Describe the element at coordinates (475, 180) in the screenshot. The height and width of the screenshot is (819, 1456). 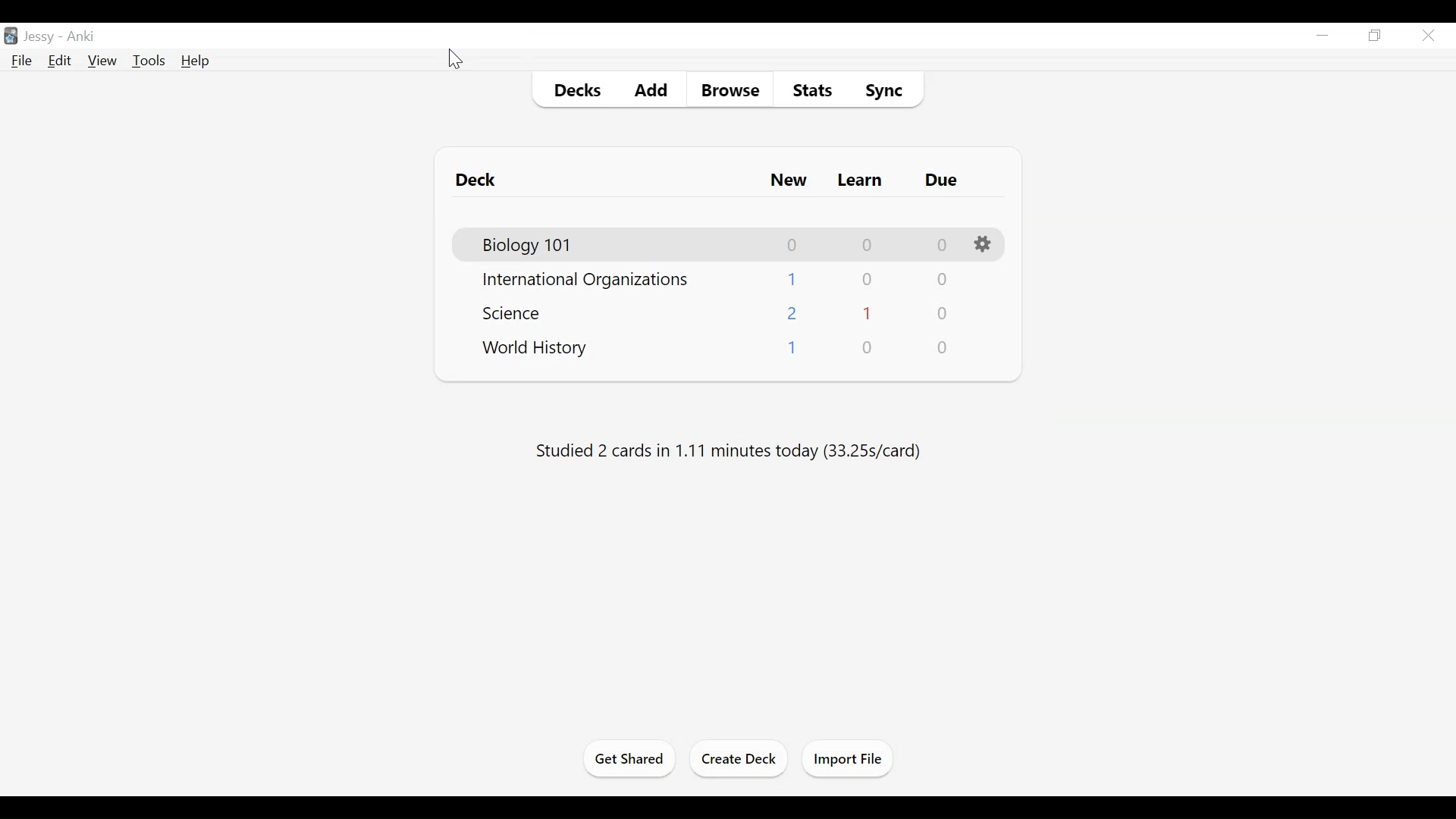
I see `Deck` at that location.